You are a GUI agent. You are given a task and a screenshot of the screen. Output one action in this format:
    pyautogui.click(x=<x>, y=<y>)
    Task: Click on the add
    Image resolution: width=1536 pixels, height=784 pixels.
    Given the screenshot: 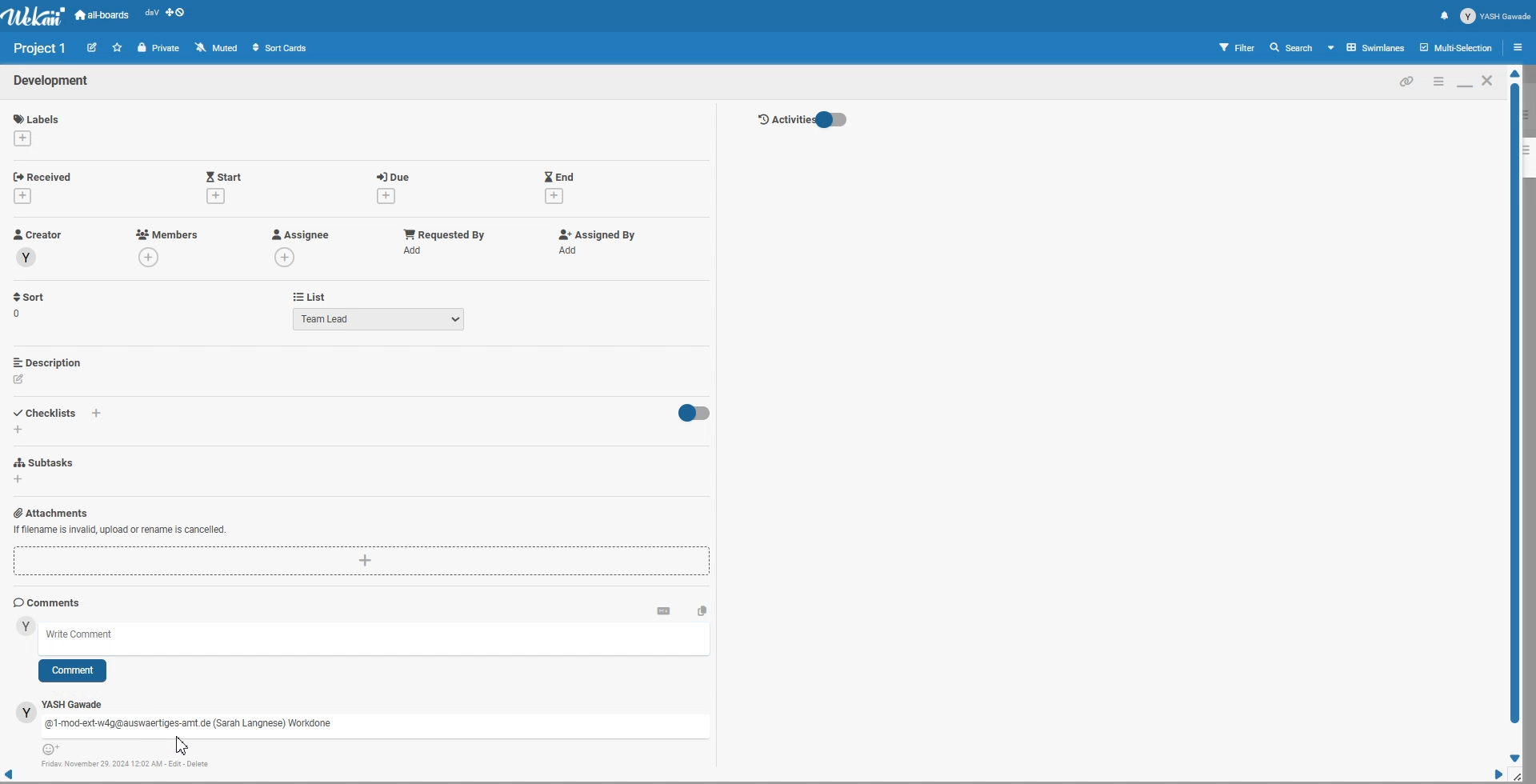 What is the action you would take?
    pyautogui.click(x=554, y=197)
    